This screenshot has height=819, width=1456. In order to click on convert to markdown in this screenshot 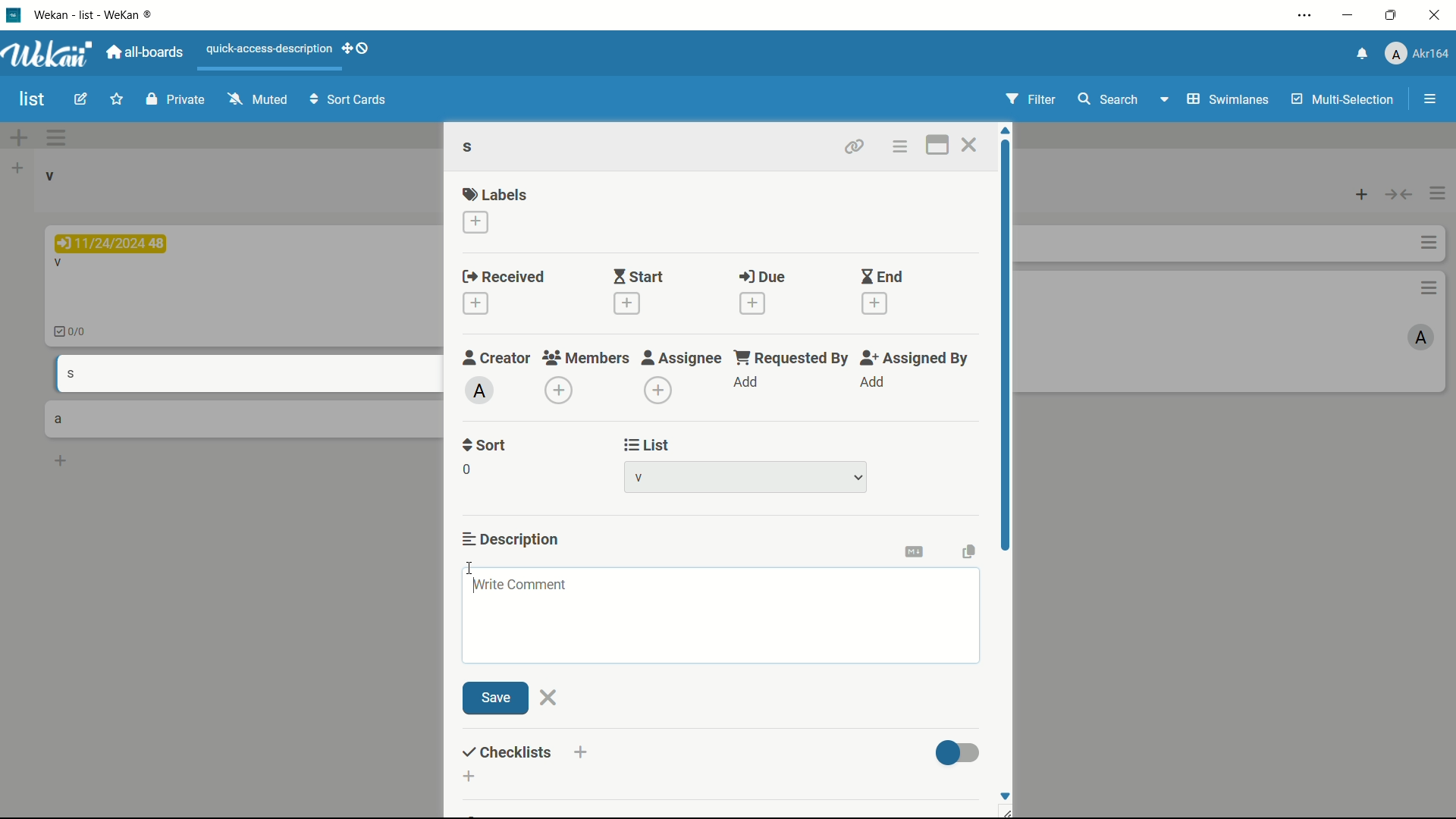, I will do `click(914, 551)`.